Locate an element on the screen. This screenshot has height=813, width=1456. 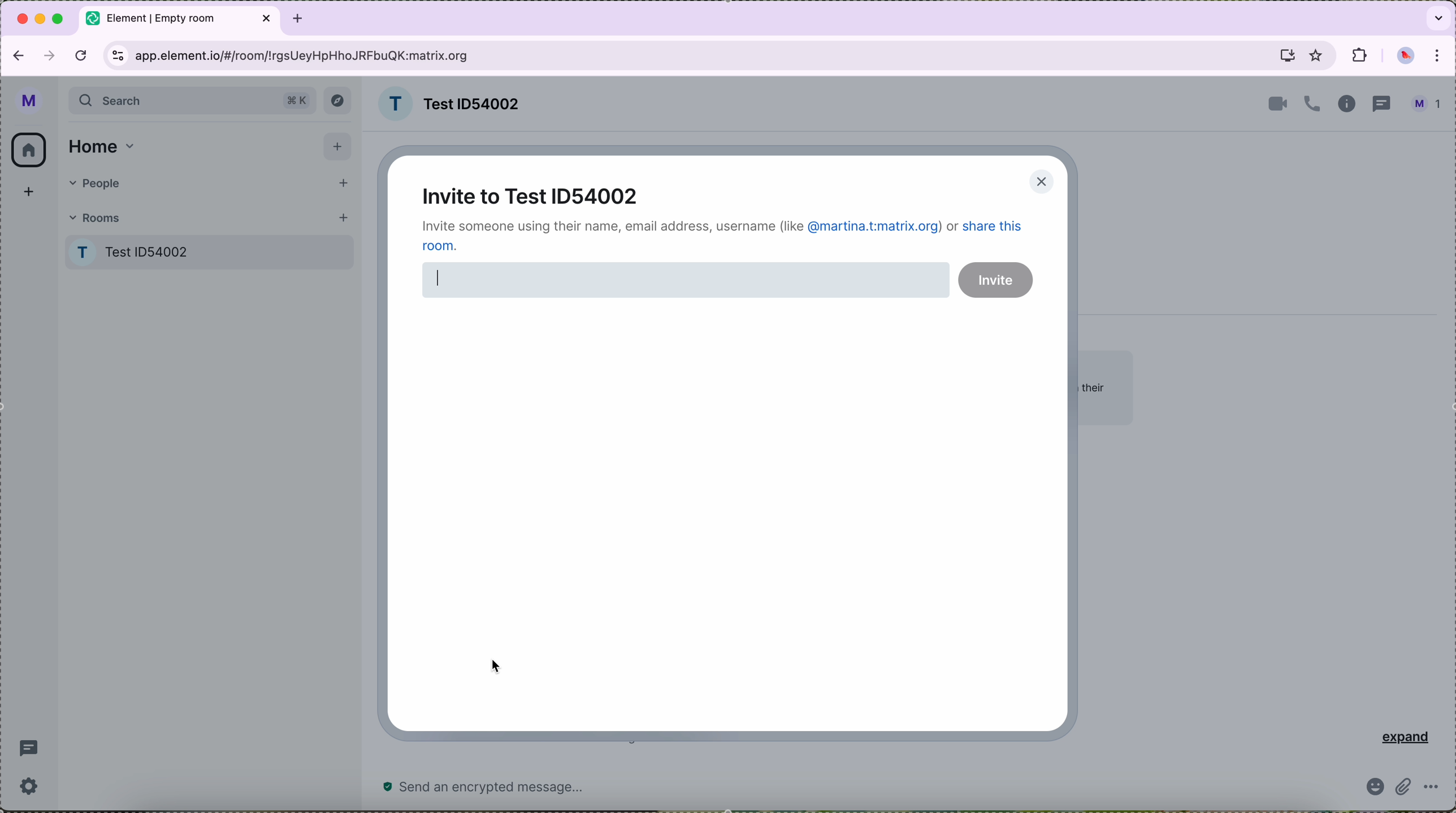
maximize is located at coordinates (61, 20).